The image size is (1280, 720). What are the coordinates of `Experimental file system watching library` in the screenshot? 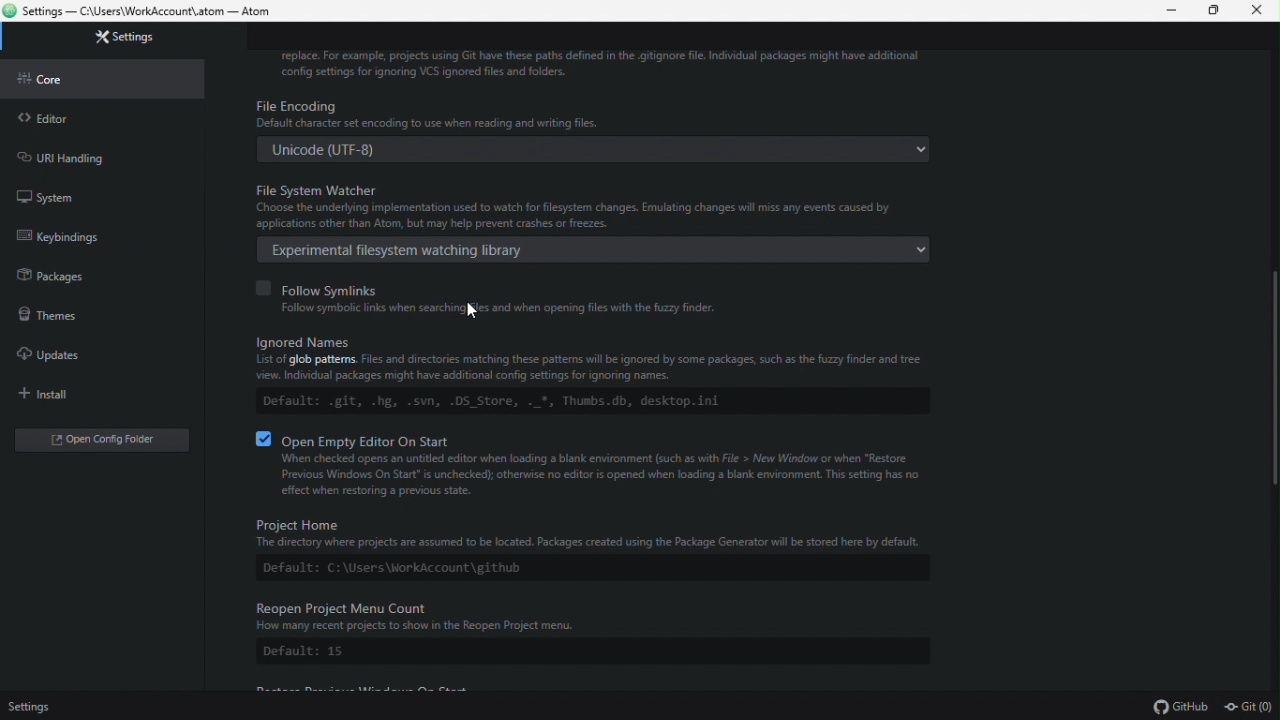 It's located at (590, 248).